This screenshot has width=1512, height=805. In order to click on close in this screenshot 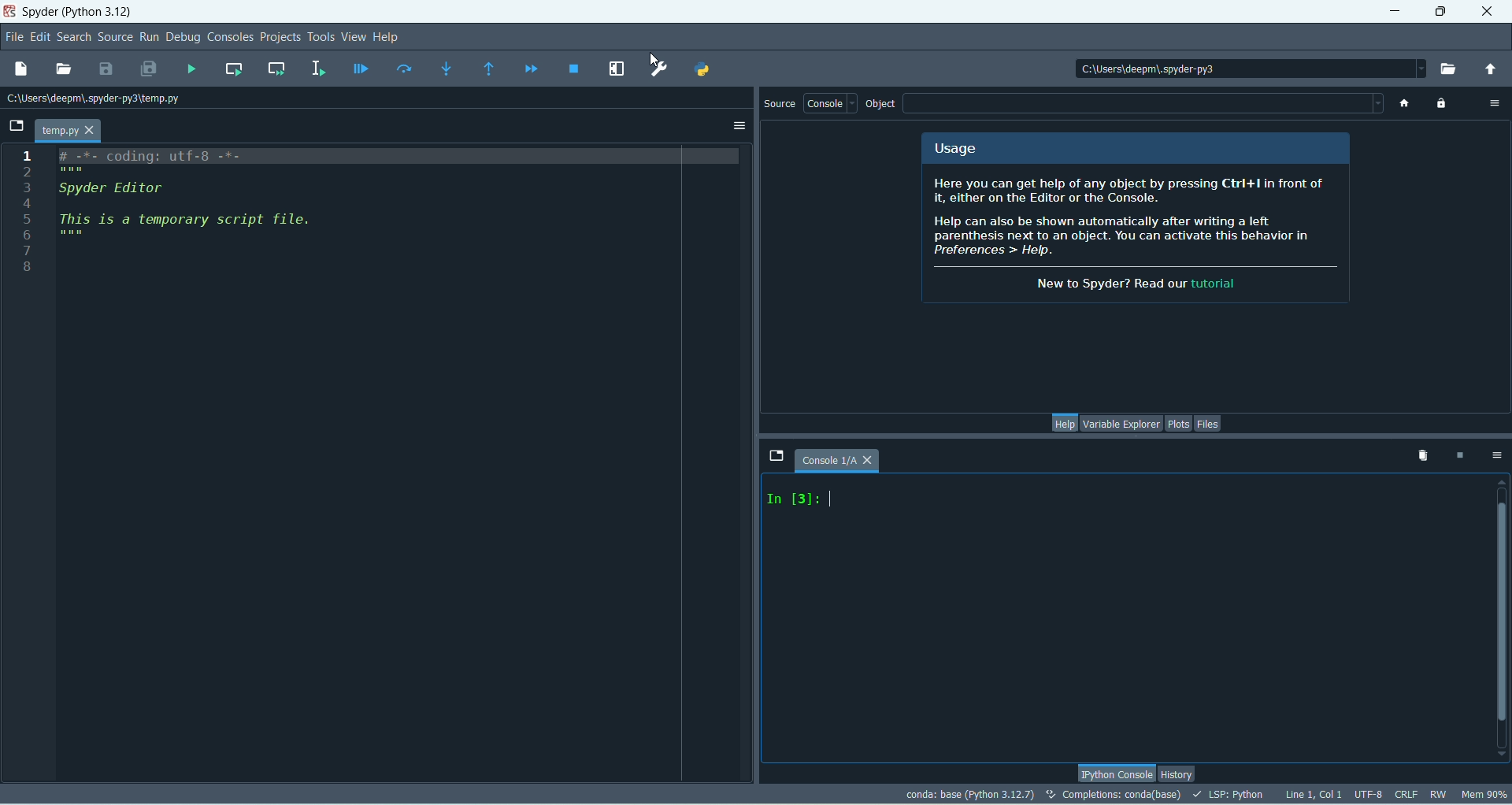, I will do `click(1486, 11)`.